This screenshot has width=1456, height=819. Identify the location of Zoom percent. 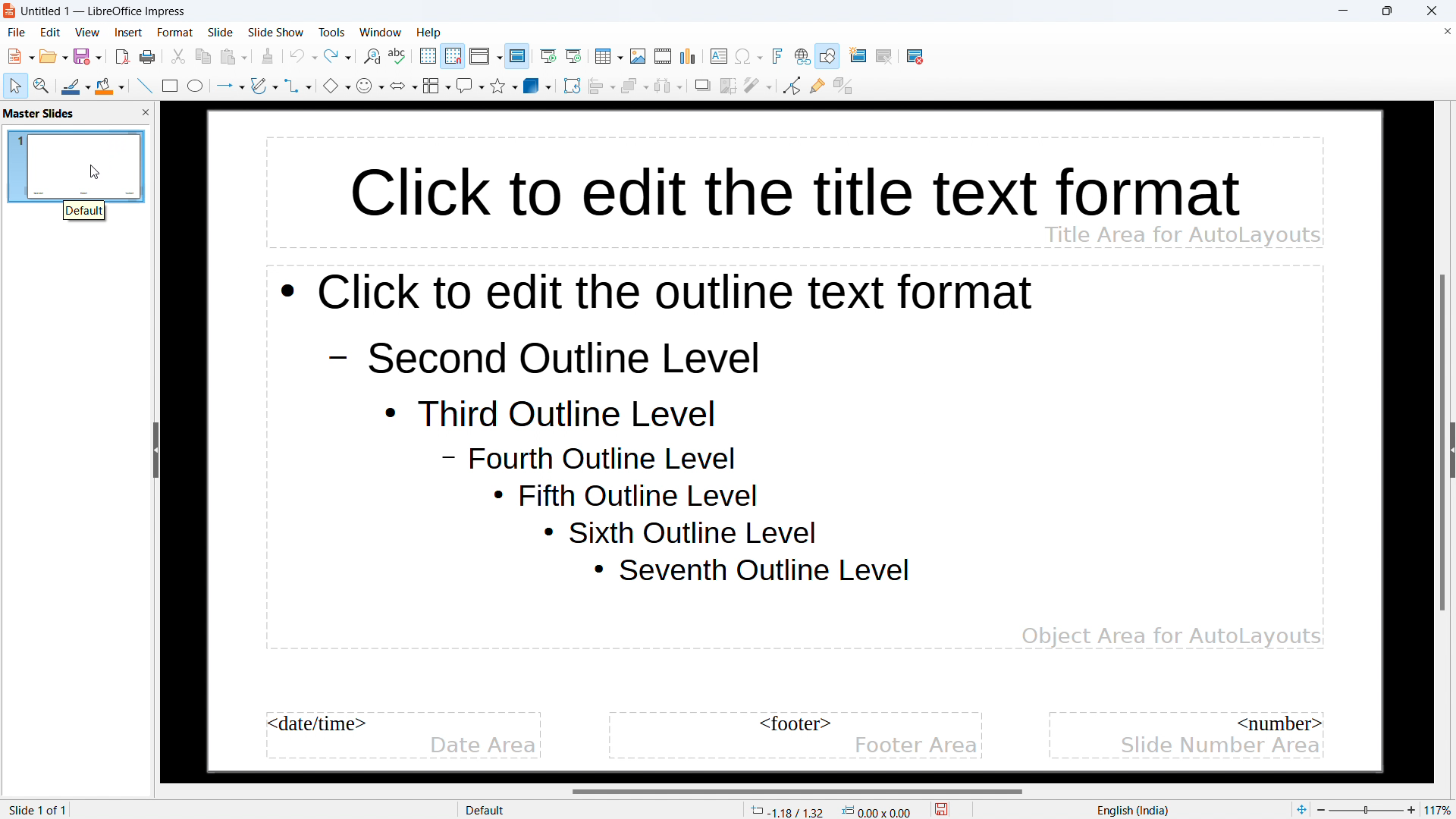
(1367, 810).